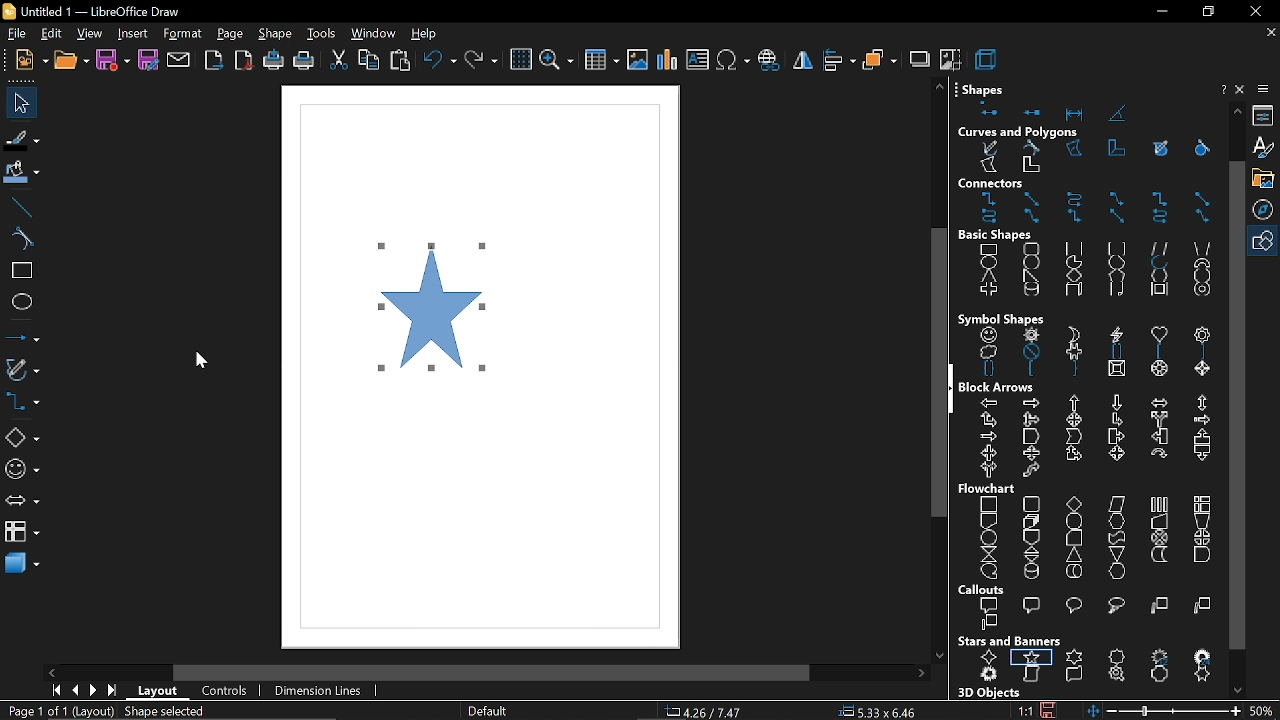  Describe the element at coordinates (950, 60) in the screenshot. I see `crop` at that location.